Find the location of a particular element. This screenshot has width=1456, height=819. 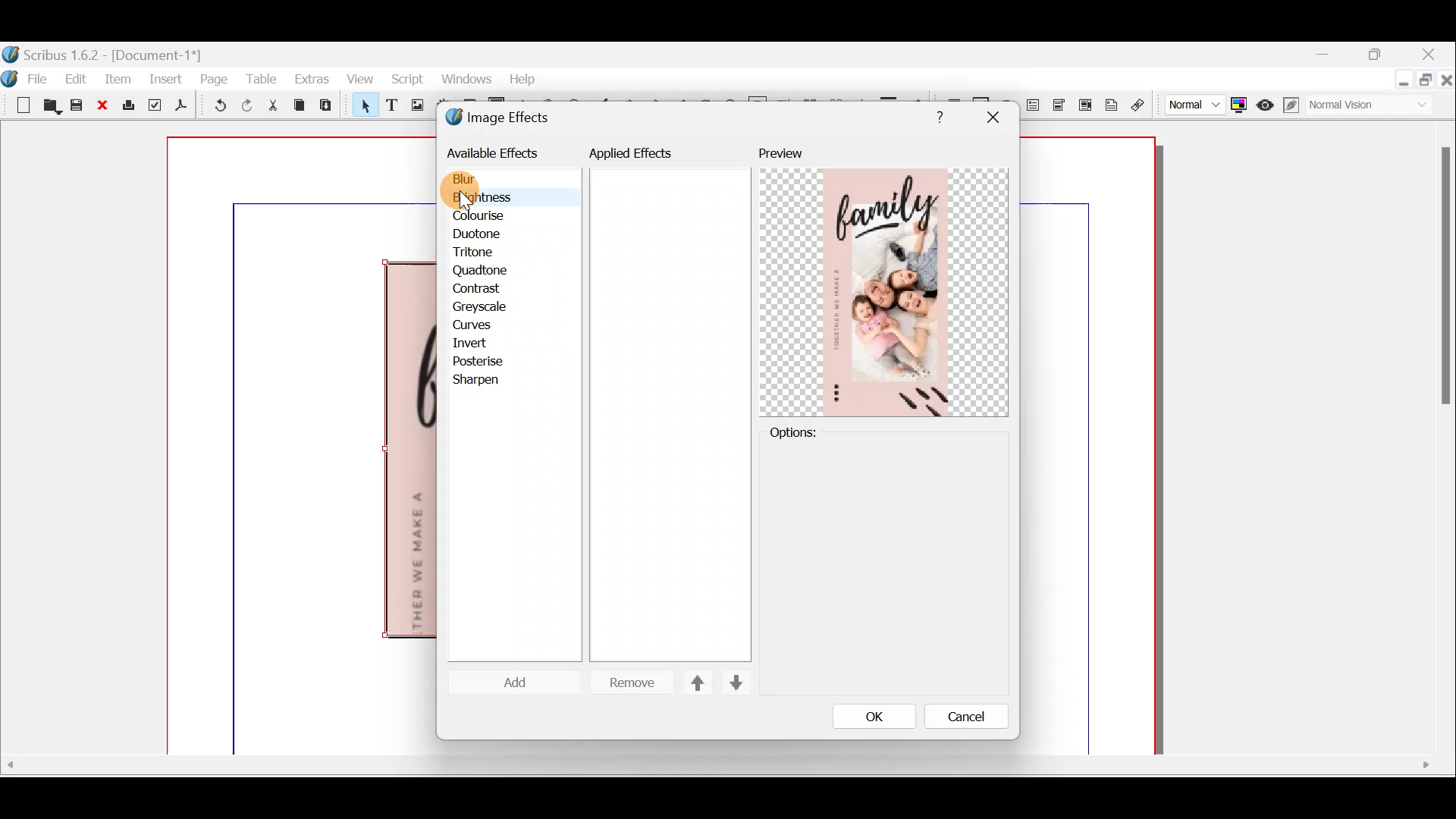

Edit in preview mode is located at coordinates (1293, 105).